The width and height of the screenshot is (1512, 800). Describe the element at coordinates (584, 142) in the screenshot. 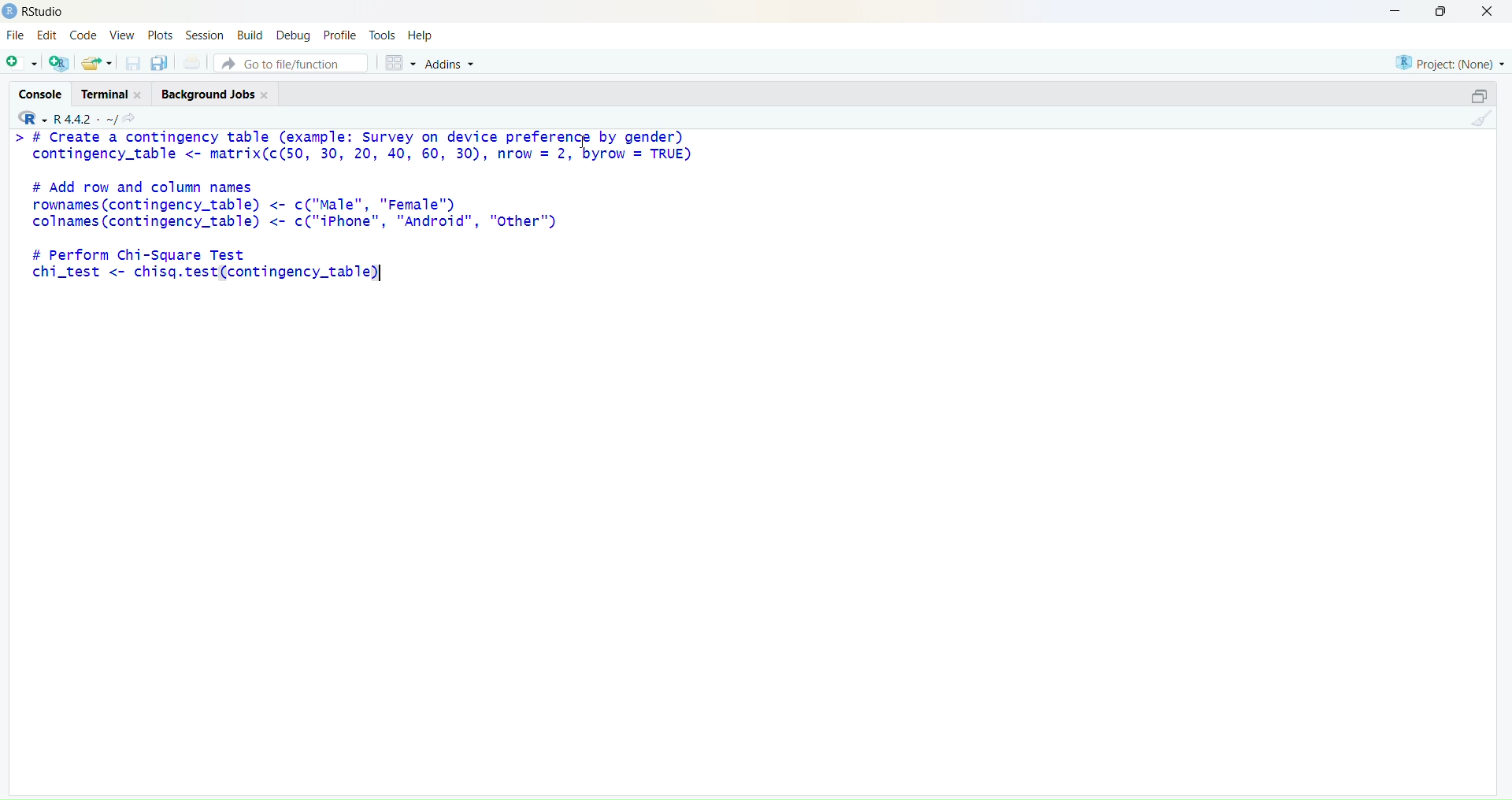

I see `cursor` at that location.